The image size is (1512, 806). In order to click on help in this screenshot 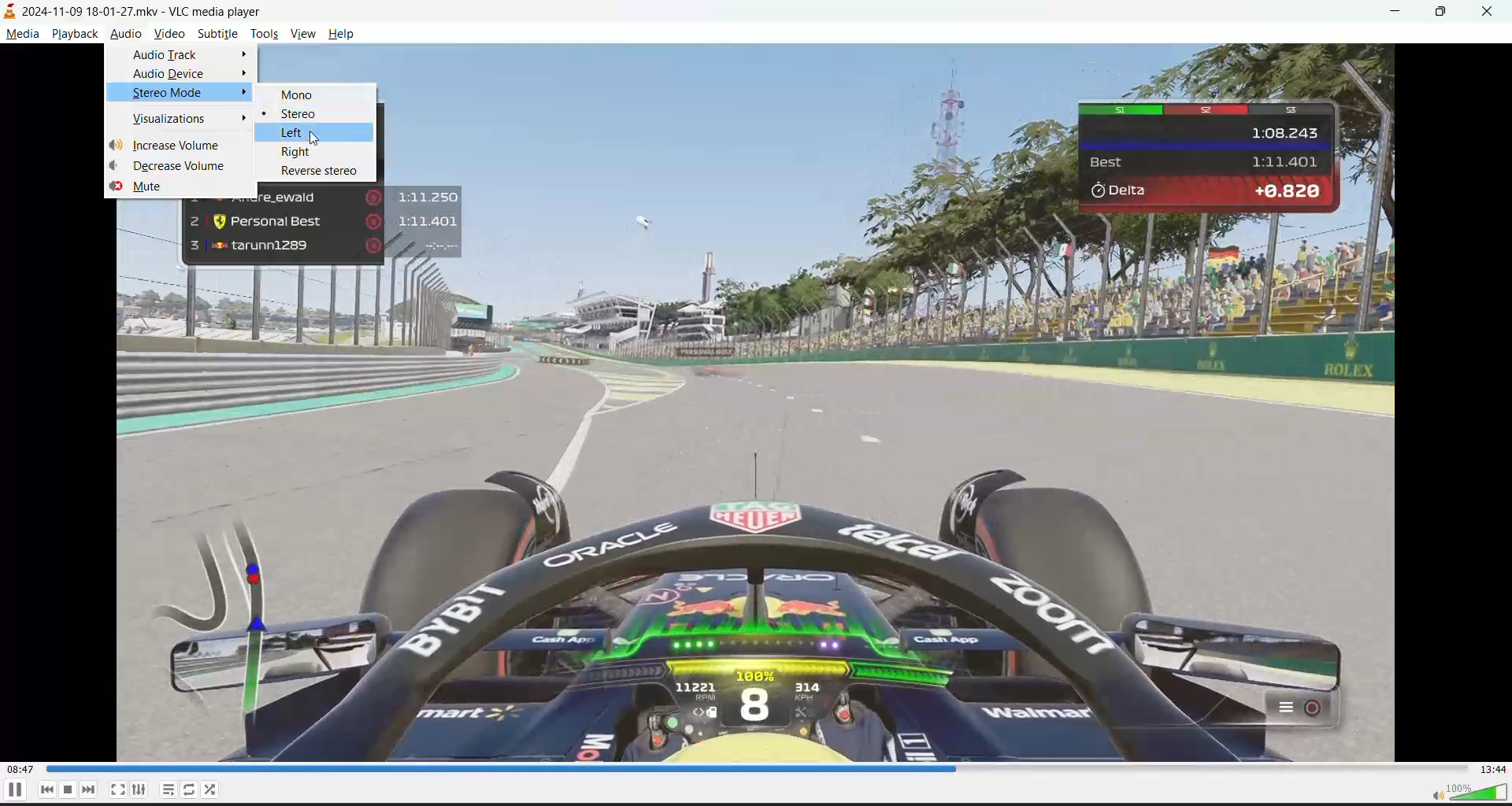, I will do `click(343, 34)`.